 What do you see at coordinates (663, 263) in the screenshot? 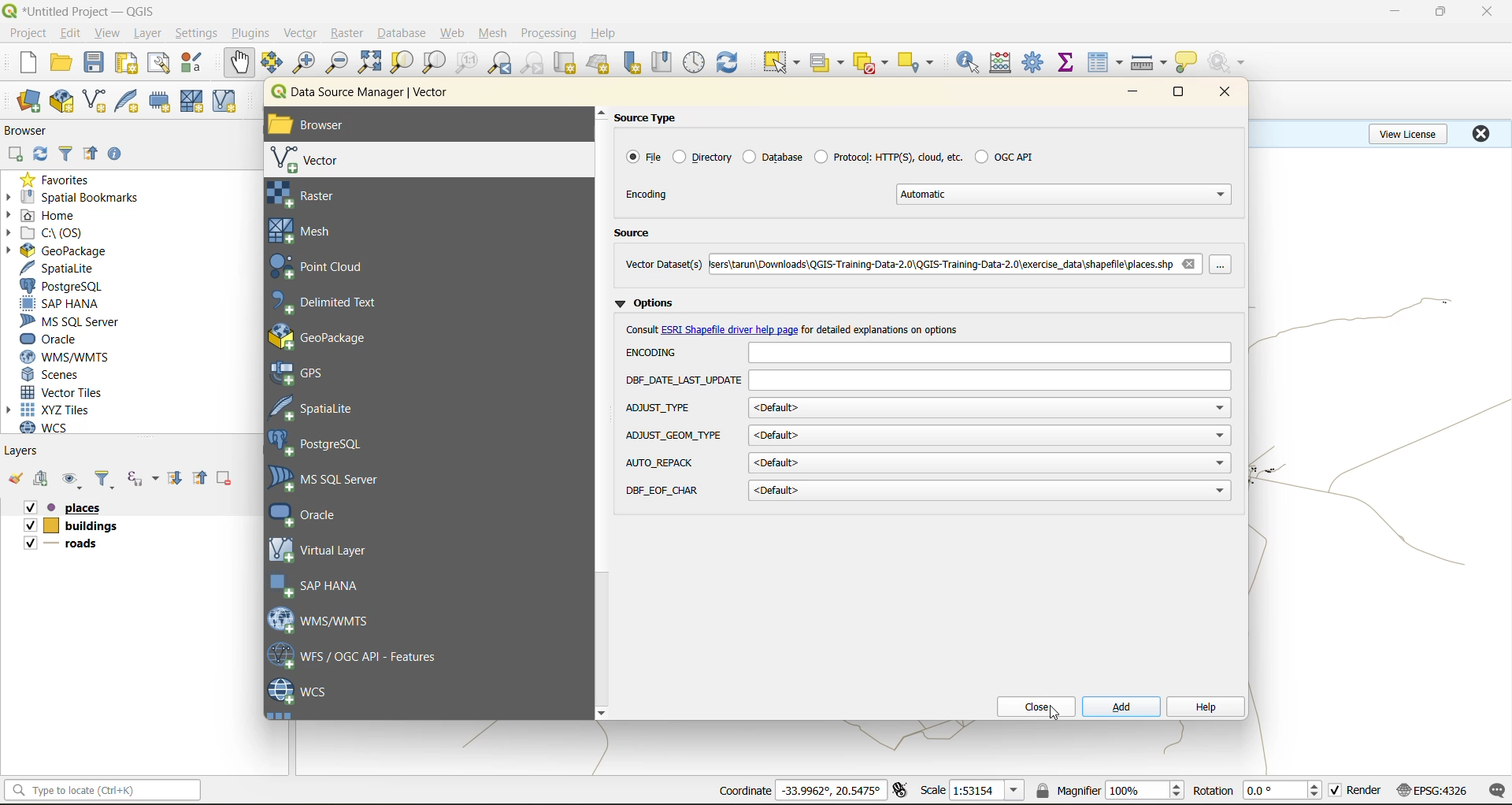
I see `vector dataset` at bounding box center [663, 263].